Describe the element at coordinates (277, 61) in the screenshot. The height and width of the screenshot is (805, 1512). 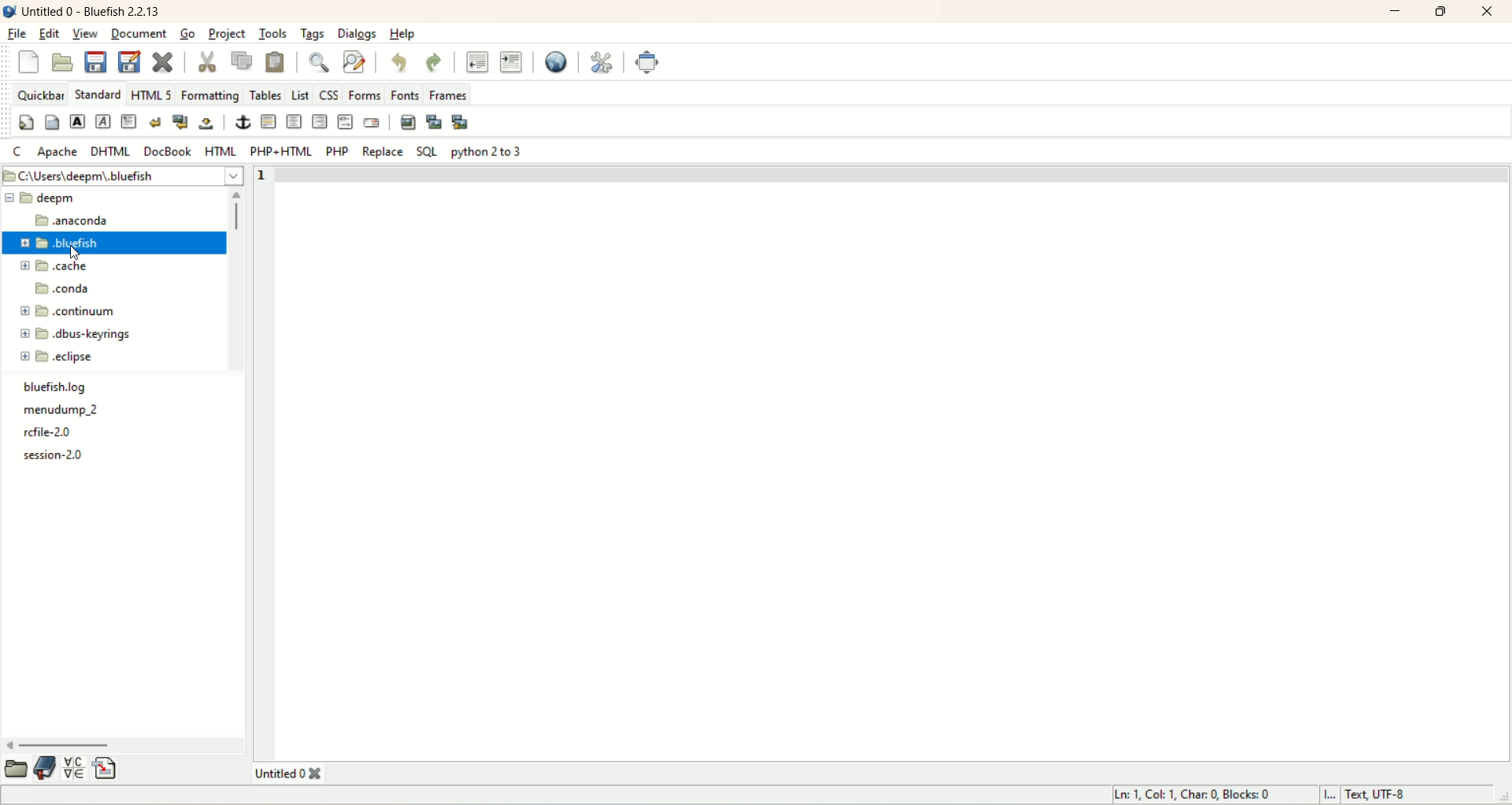
I see `paste` at that location.